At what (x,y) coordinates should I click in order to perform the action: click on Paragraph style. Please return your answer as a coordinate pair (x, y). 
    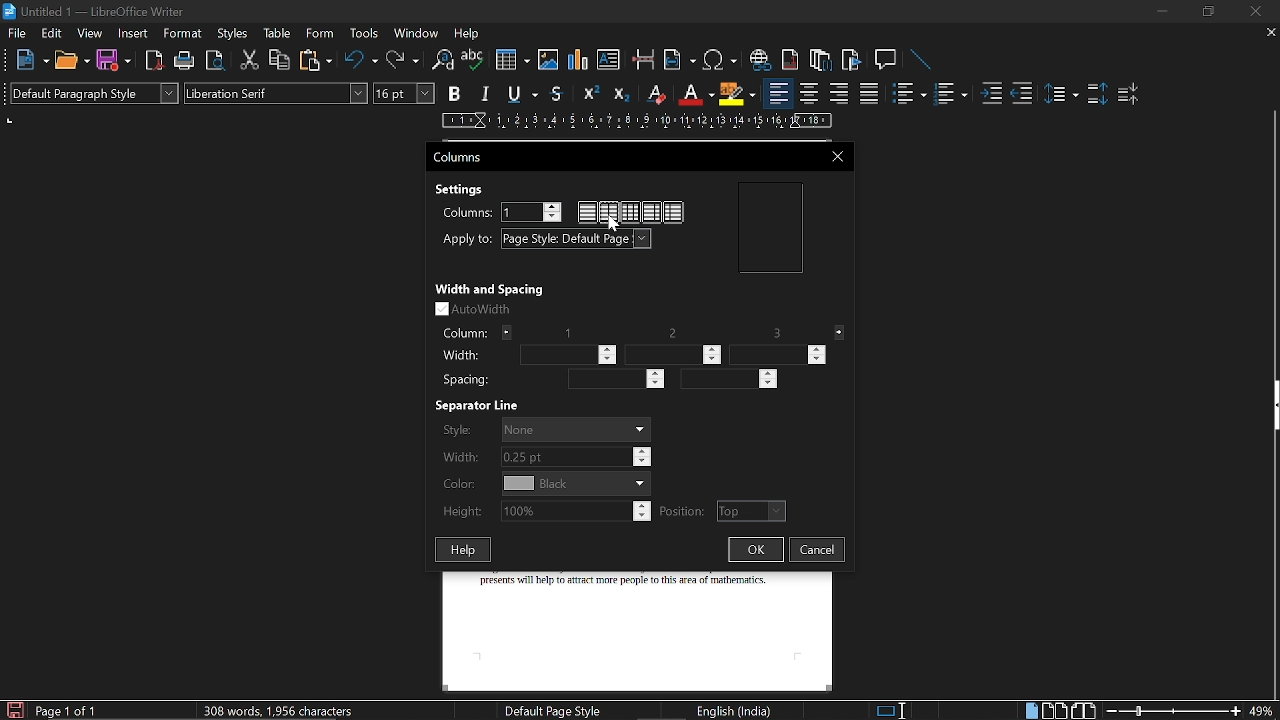
    Looking at the image, I should click on (94, 93).